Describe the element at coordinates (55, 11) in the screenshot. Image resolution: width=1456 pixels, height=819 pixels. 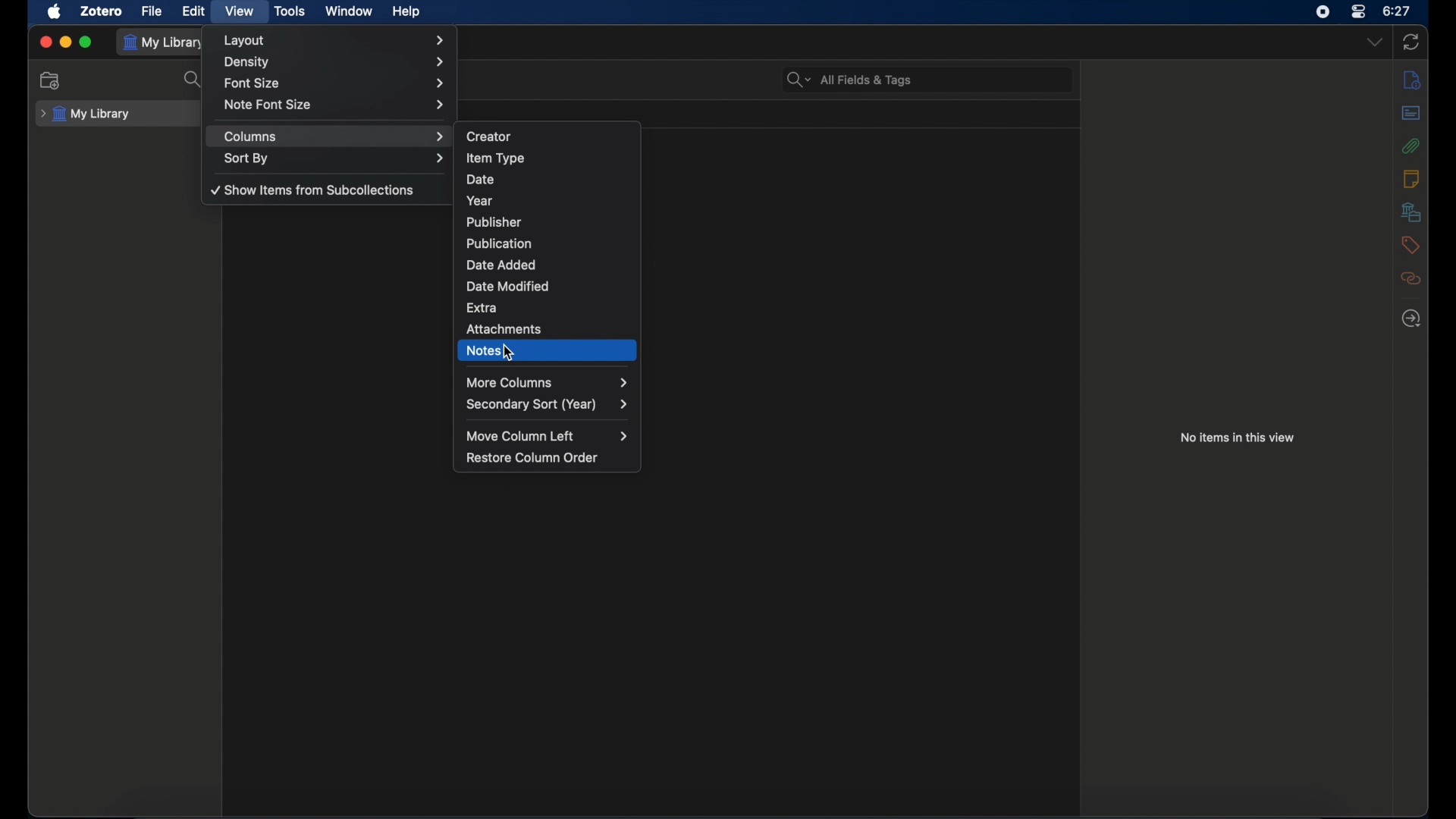
I see `apple icon` at that location.